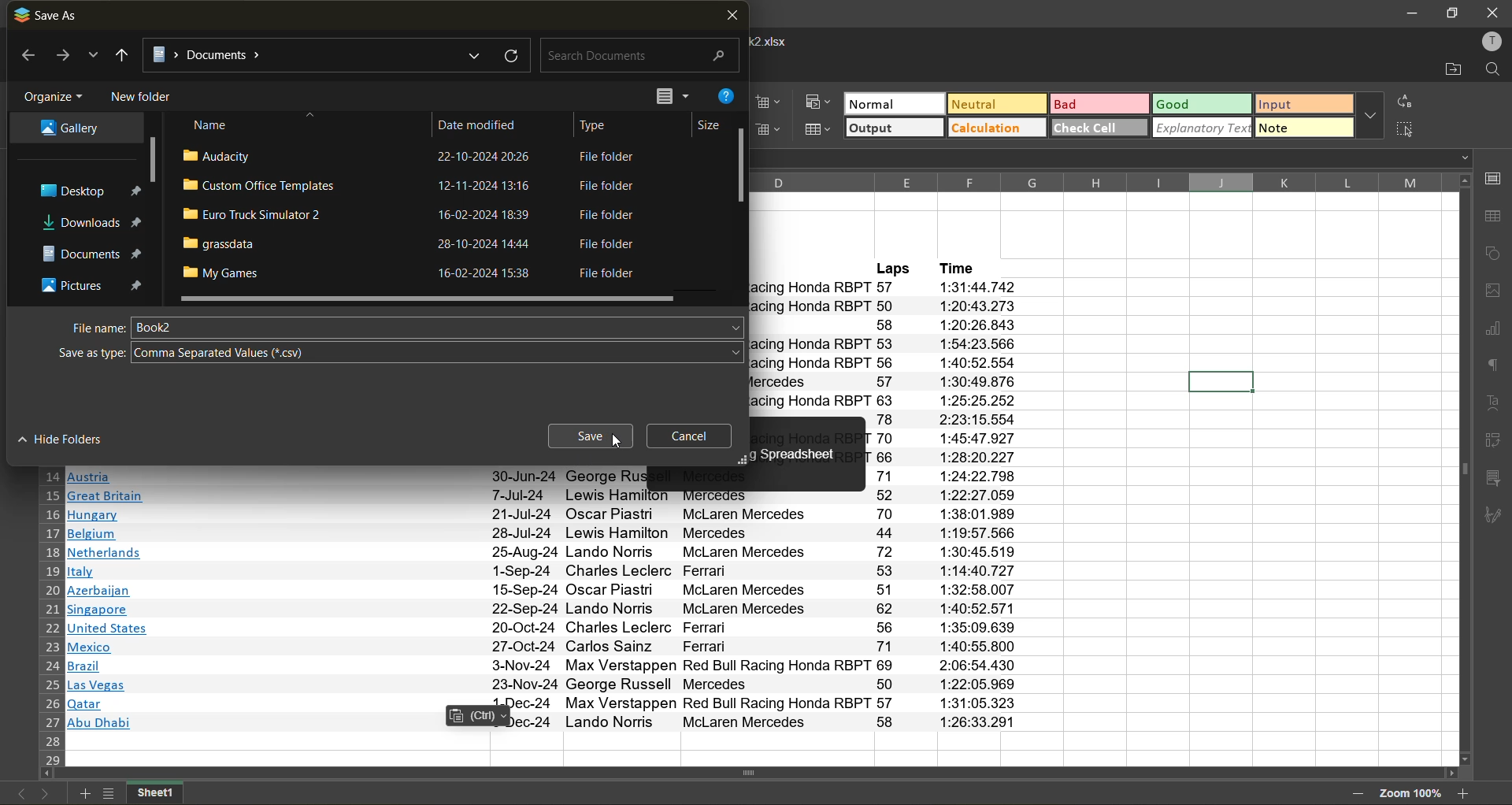 This screenshot has width=1512, height=805. Describe the element at coordinates (1495, 479) in the screenshot. I see `slicer` at that location.